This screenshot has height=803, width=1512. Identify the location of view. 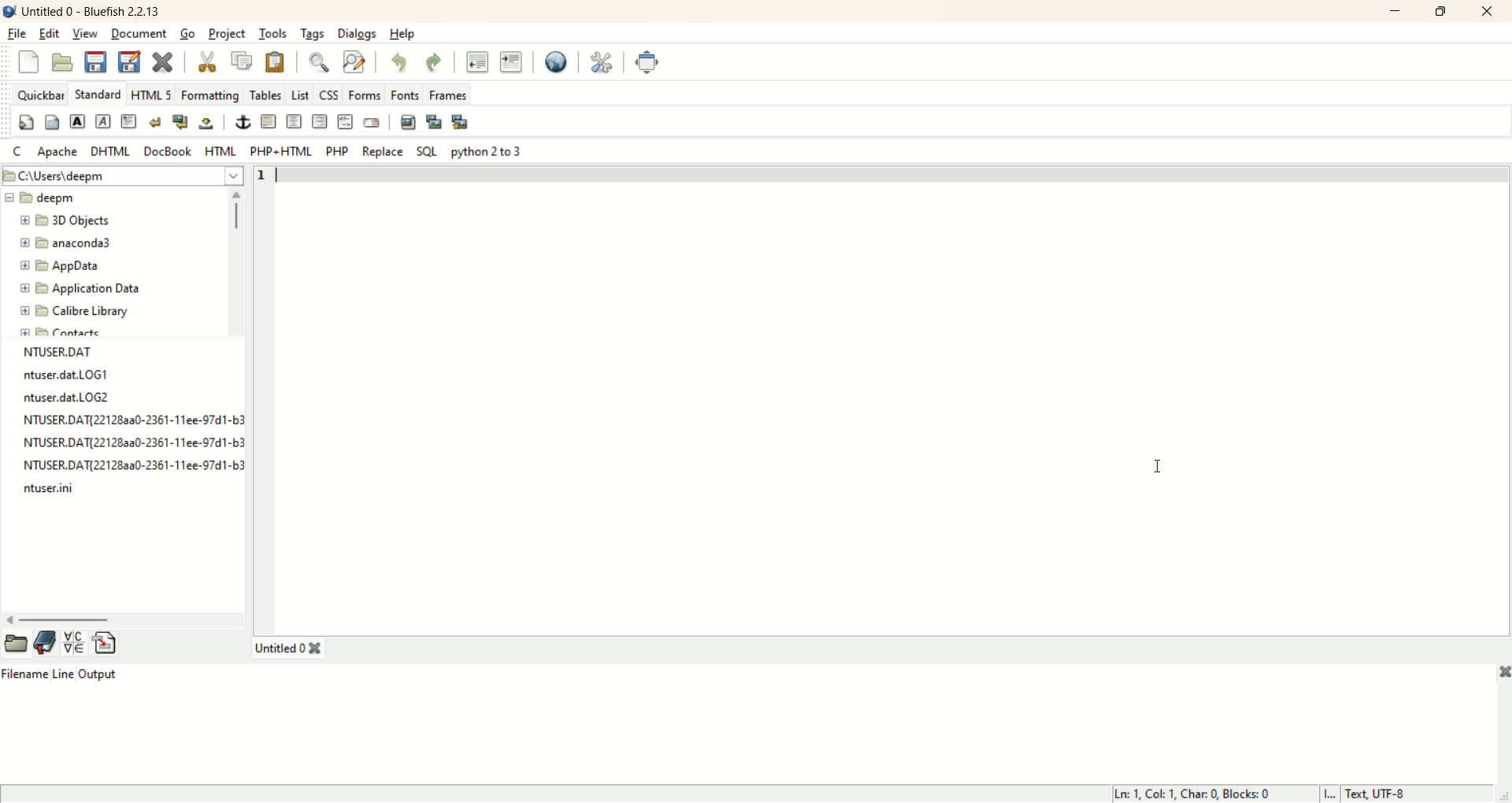
(86, 32).